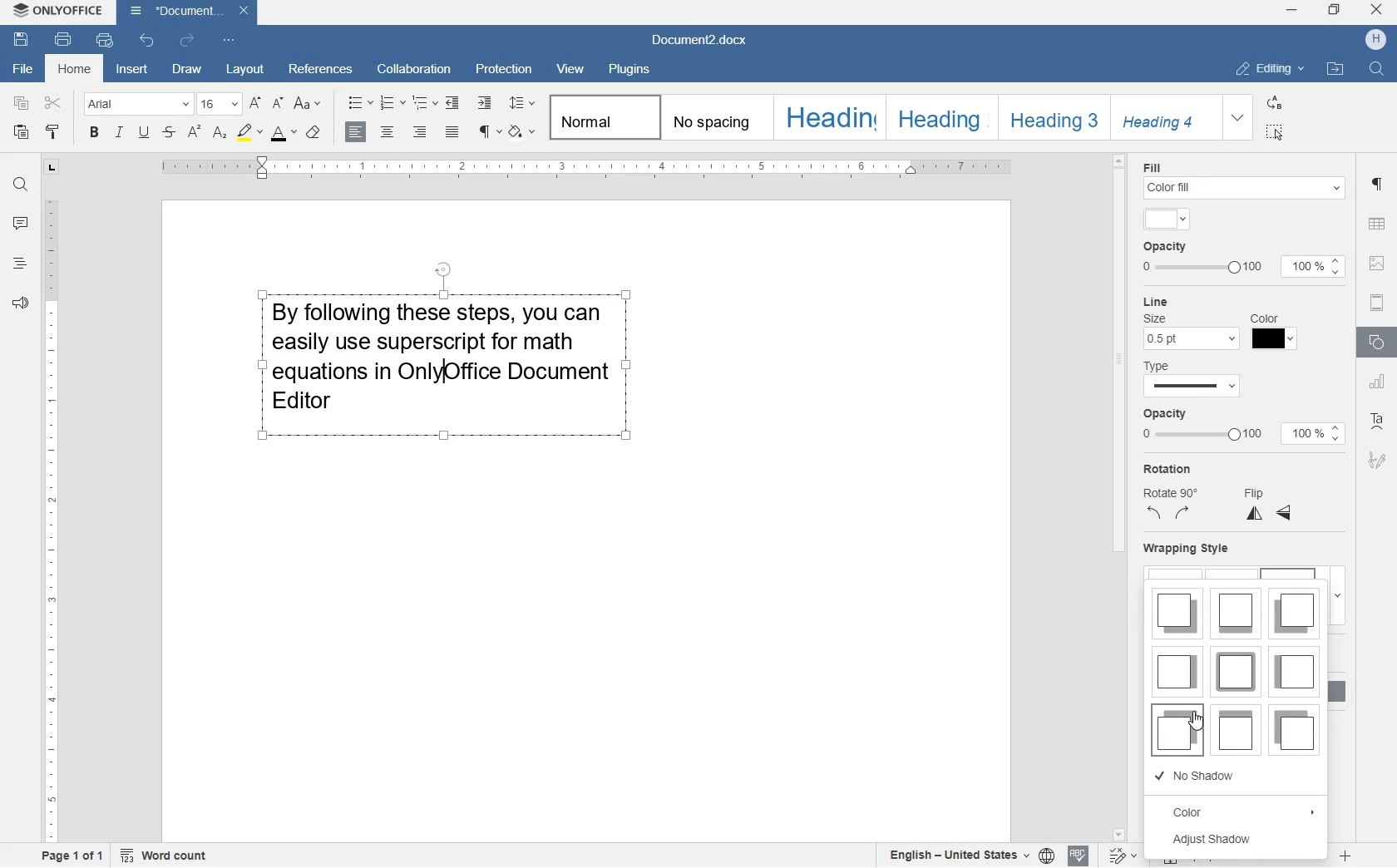 The height and width of the screenshot is (868, 1397). I want to click on EXPAND FORMATTING STYLE, so click(1237, 118).